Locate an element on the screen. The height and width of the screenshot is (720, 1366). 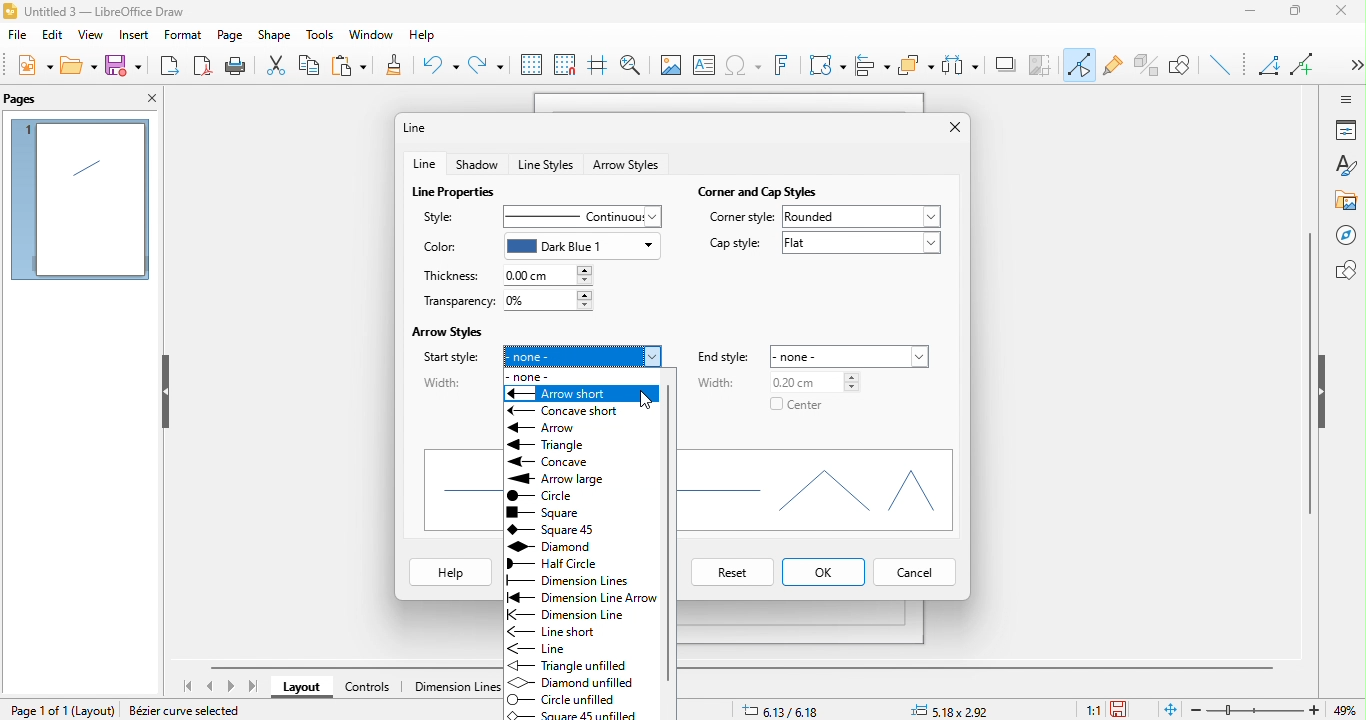
rounded is located at coordinates (864, 217).